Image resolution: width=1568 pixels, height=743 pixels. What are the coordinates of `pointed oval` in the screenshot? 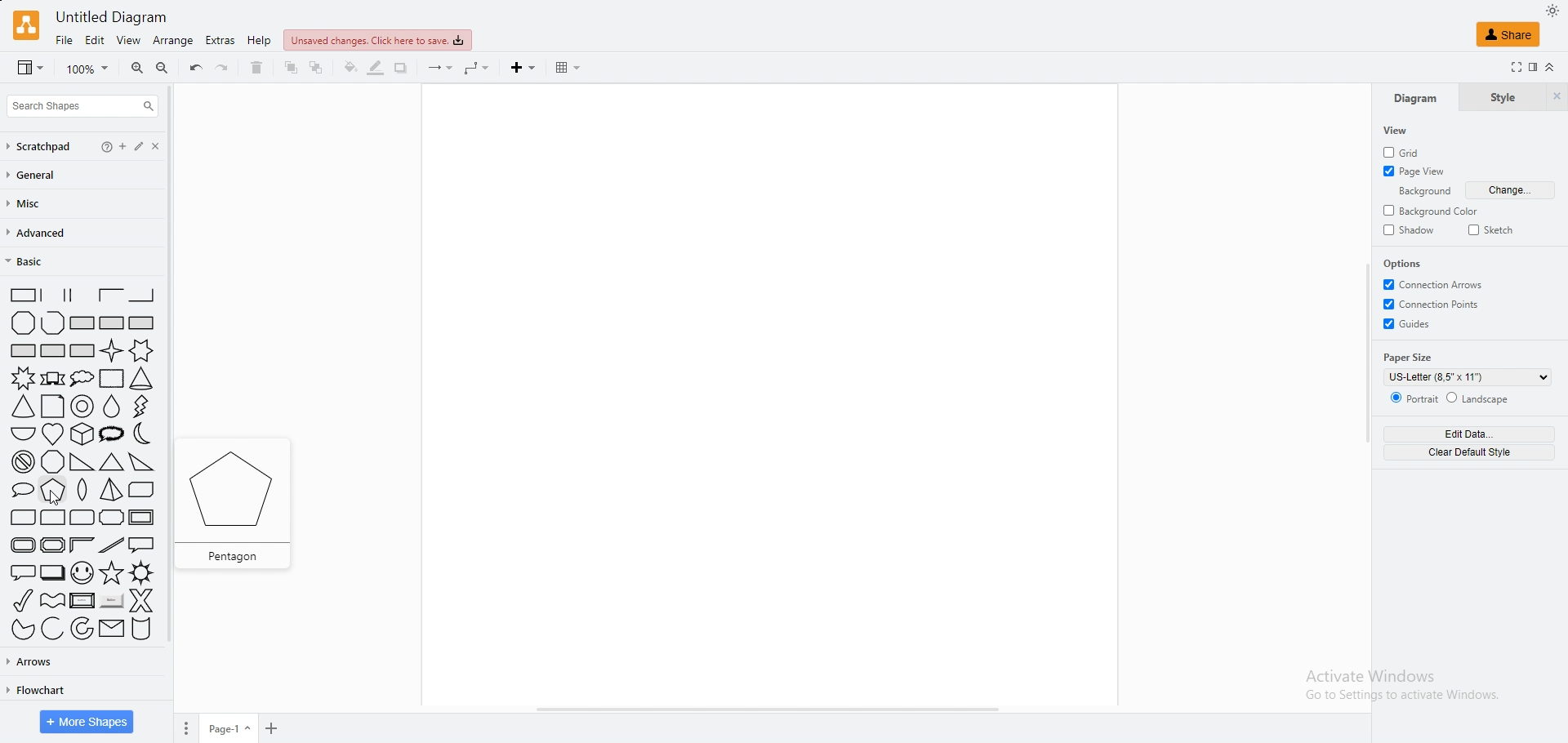 It's located at (84, 492).